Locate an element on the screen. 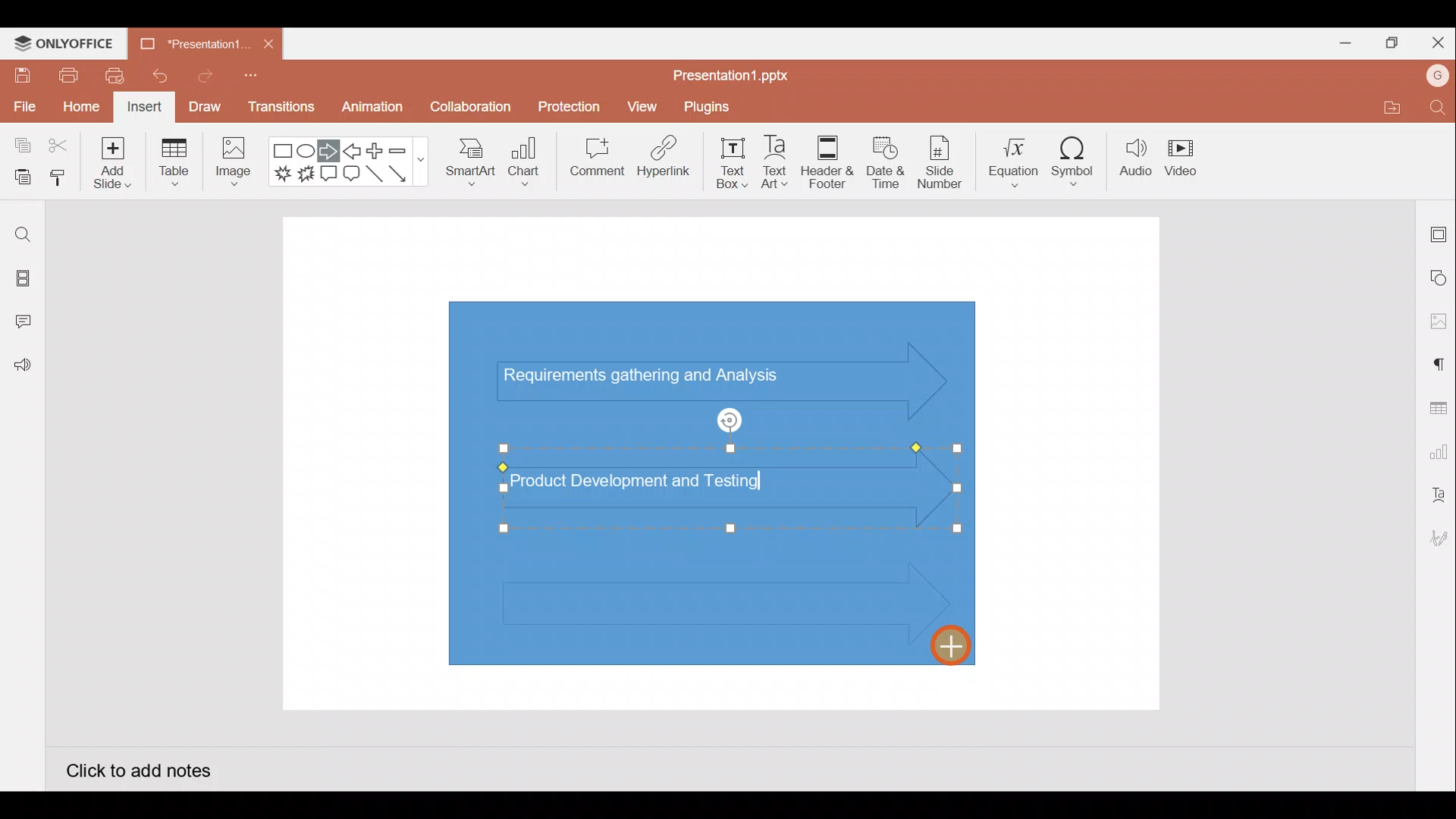  Insert is located at coordinates (145, 108).